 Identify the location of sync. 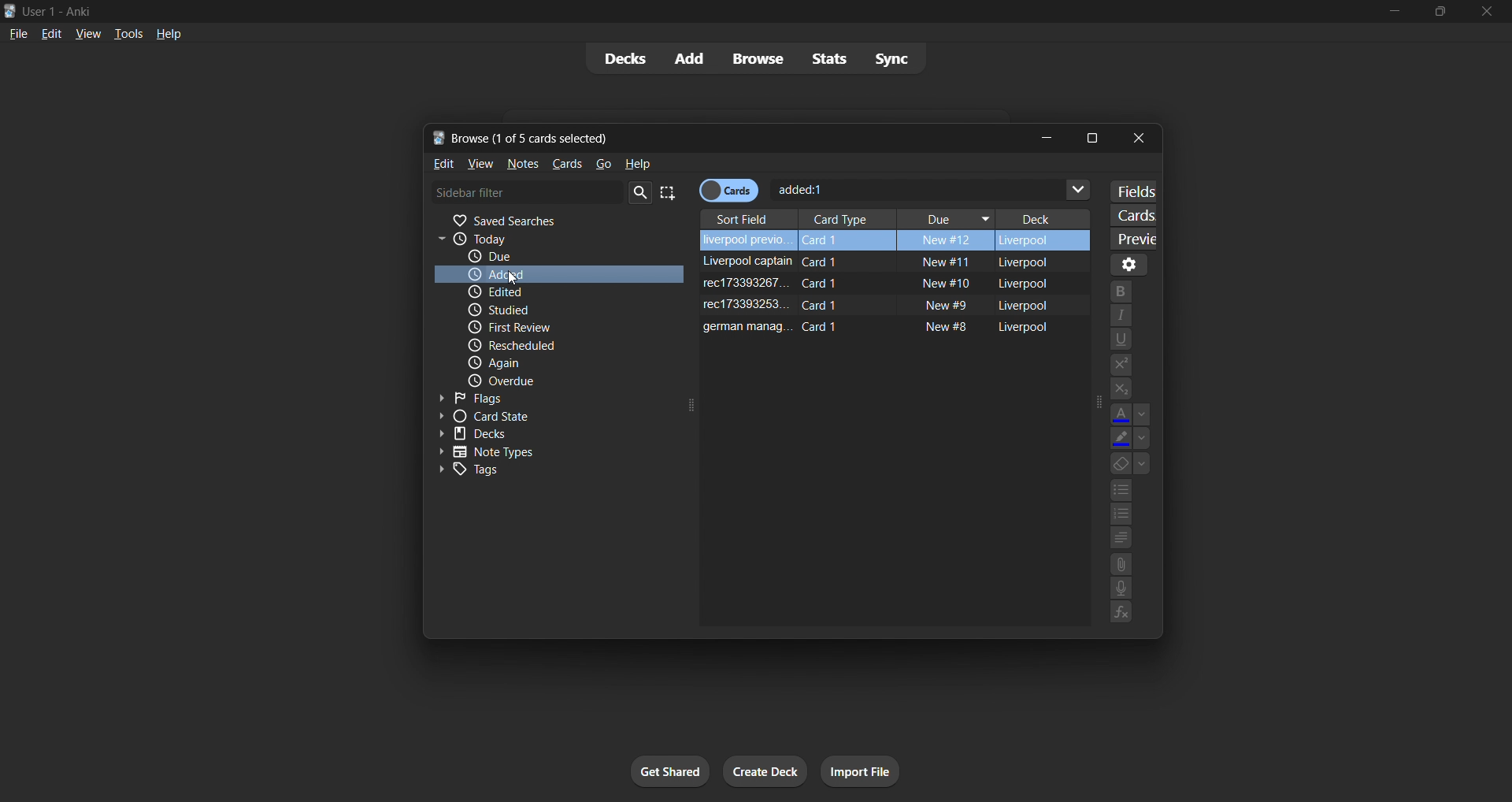
(895, 62).